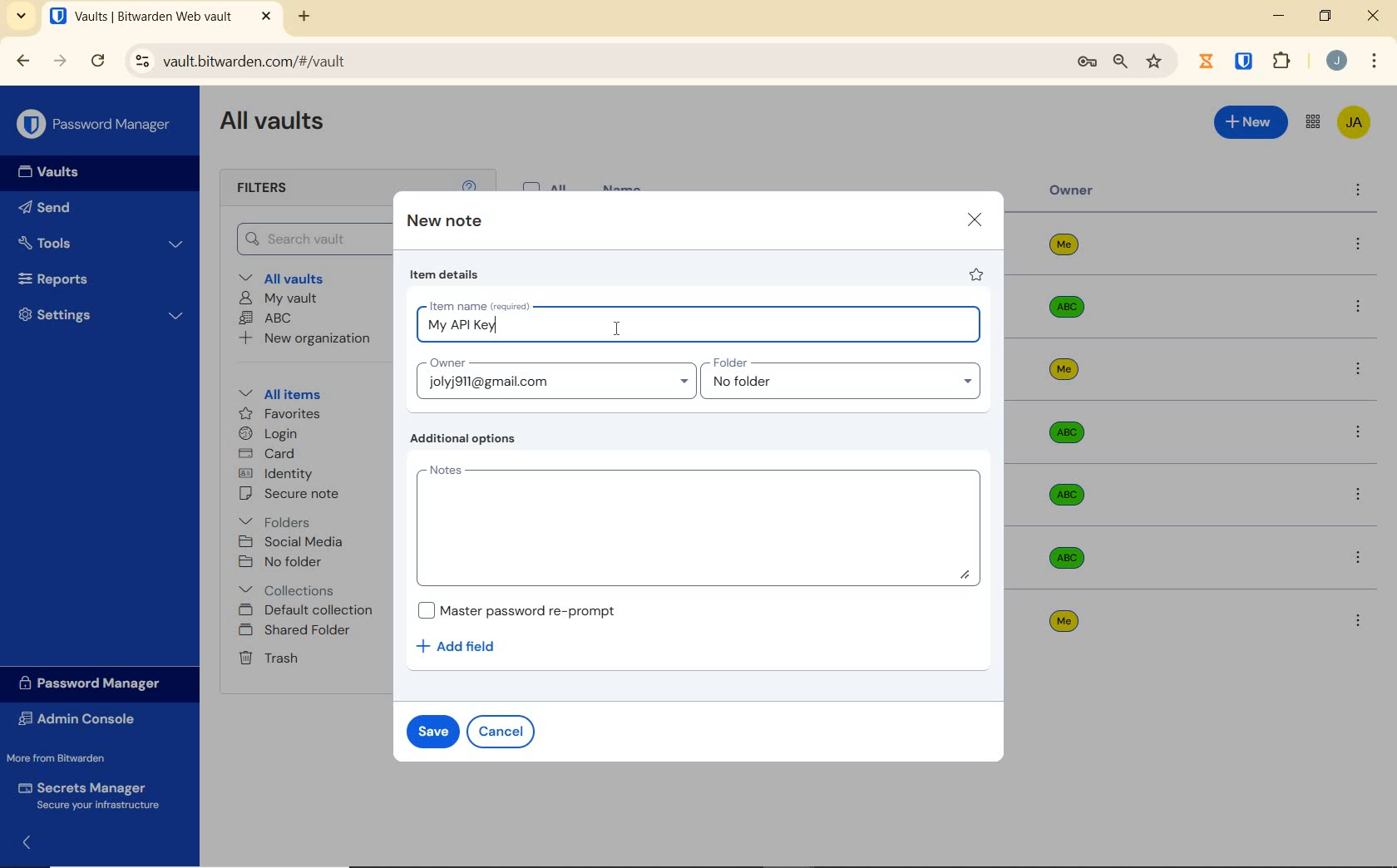 The width and height of the screenshot is (1397, 868). Describe the element at coordinates (617, 328) in the screenshot. I see `cursor` at that location.